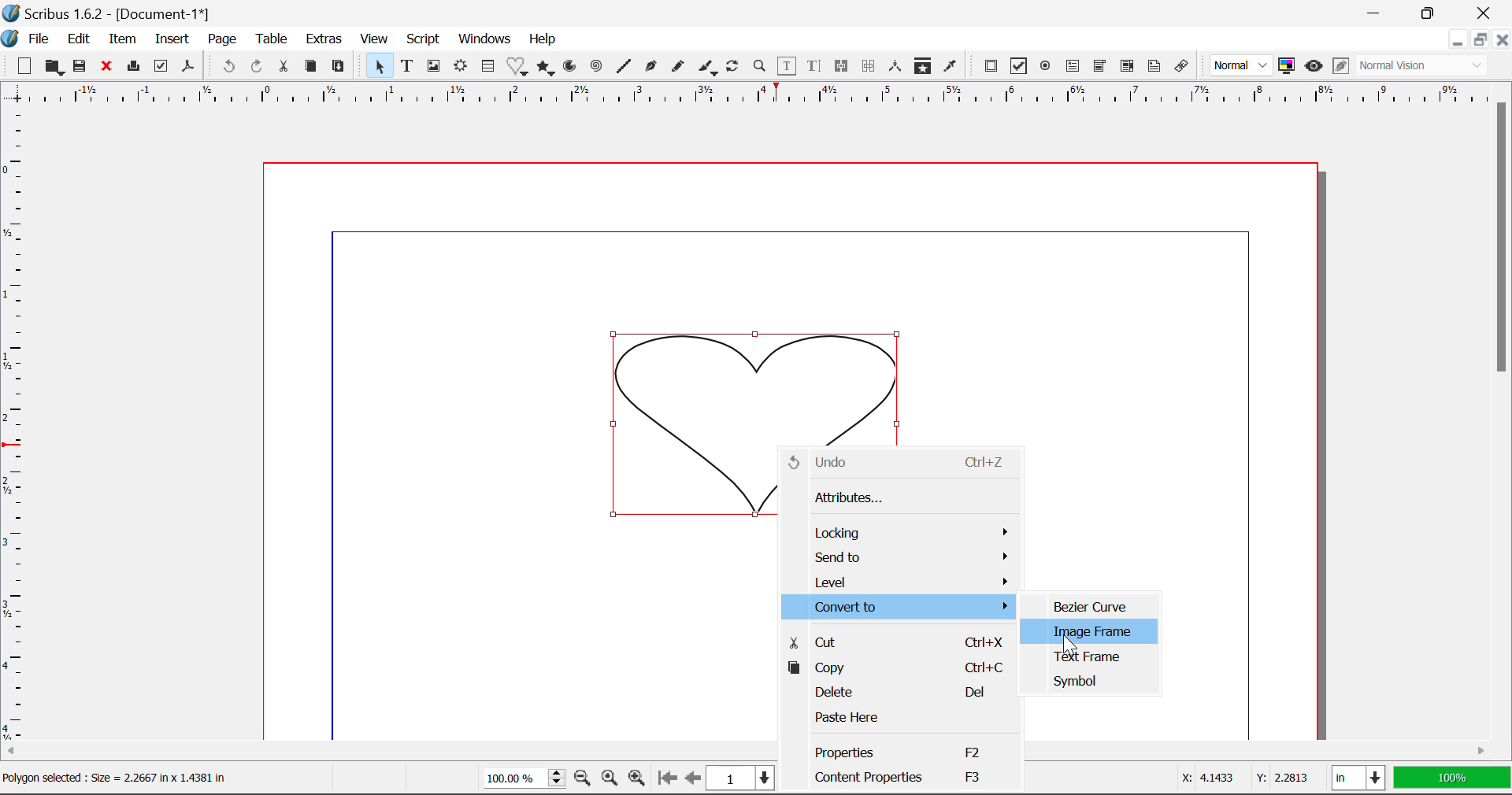 This screenshot has width=1512, height=795. What do you see at coordinates (24, 68) in the screenshot?
I see `New` at bounding box center [24, 68].